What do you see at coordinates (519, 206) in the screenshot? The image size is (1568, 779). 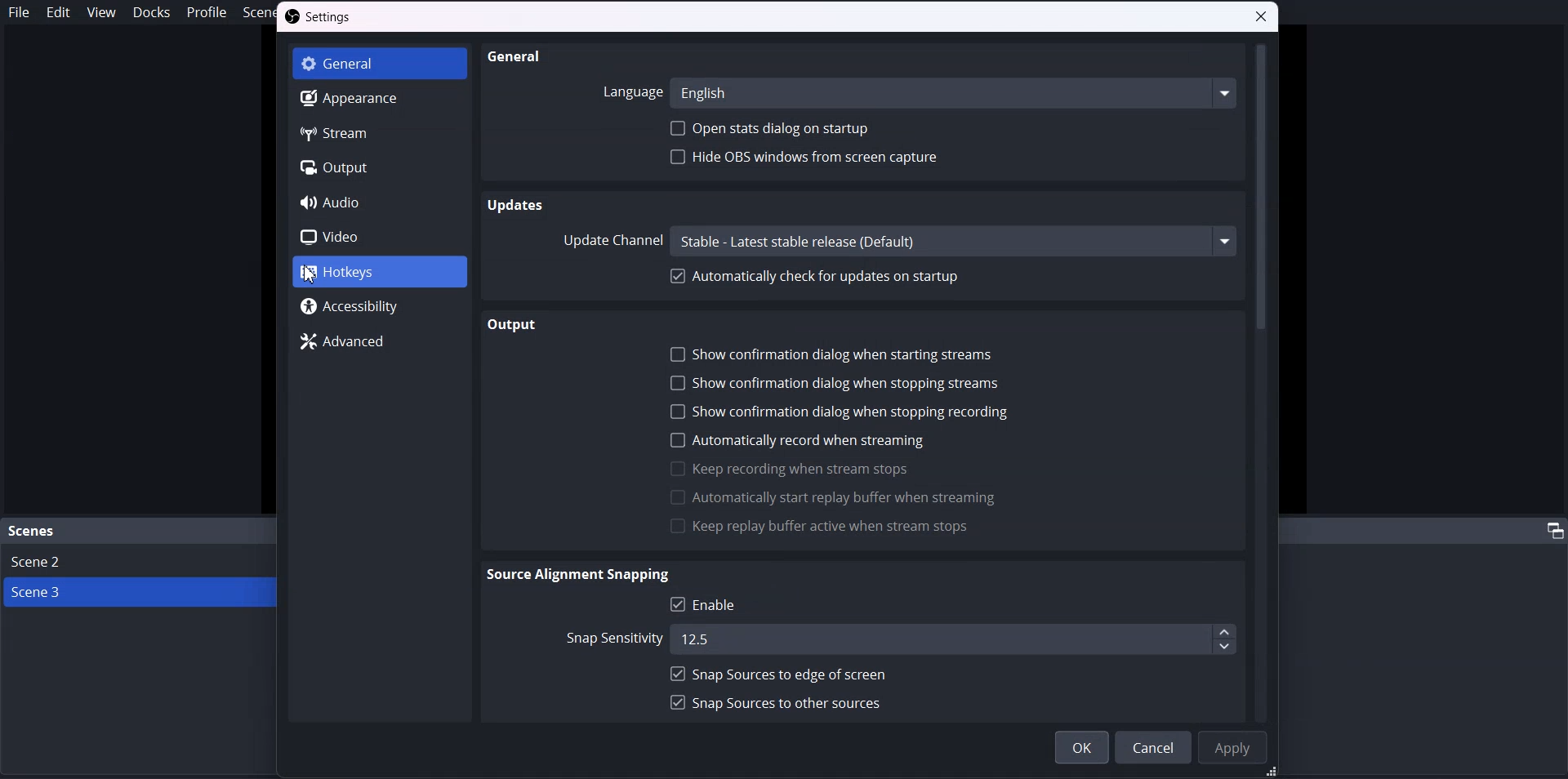 I see `Updates` at bounding box center [519, 206].